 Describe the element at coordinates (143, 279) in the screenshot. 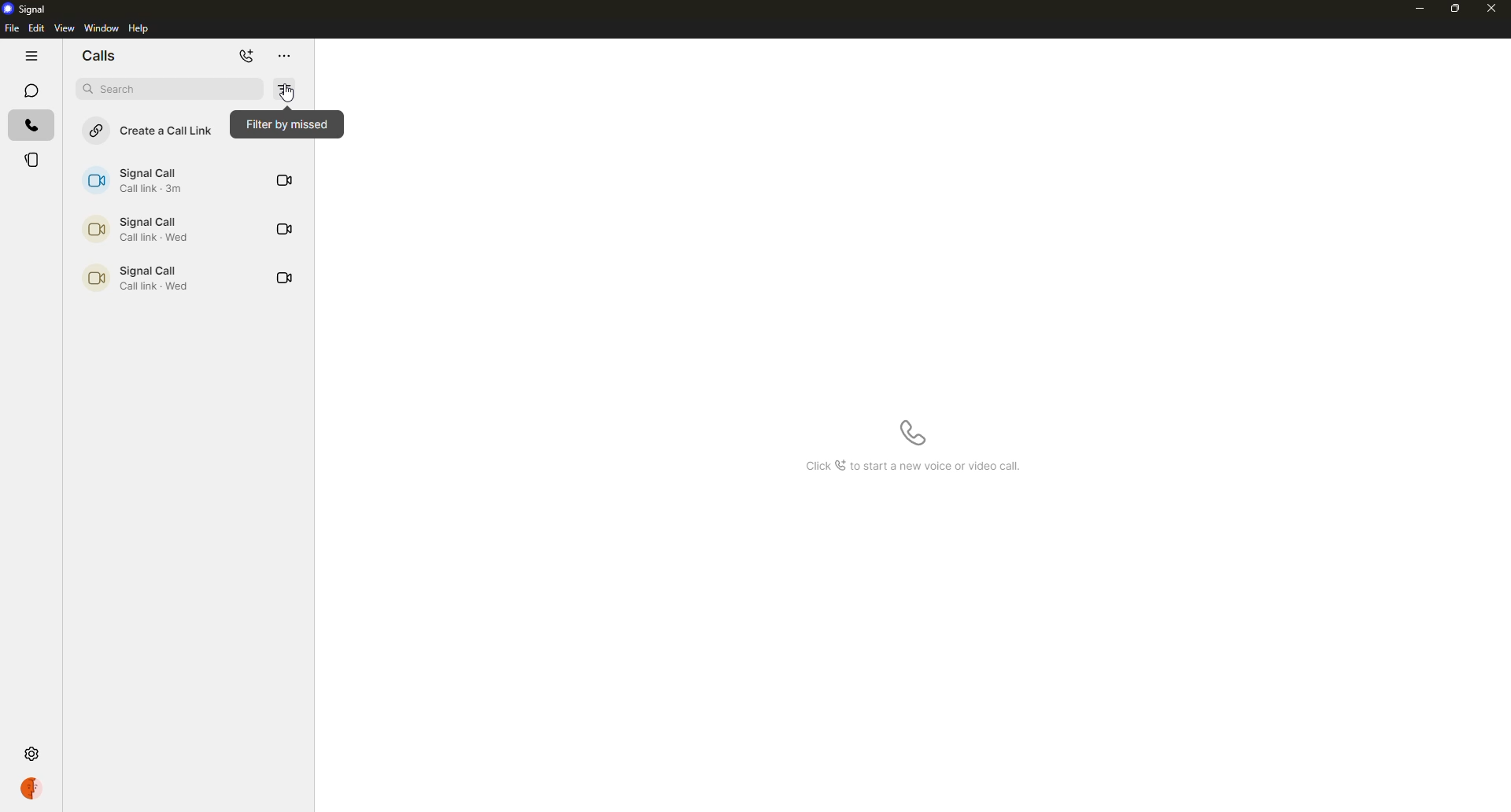

I see `call link` at that location.